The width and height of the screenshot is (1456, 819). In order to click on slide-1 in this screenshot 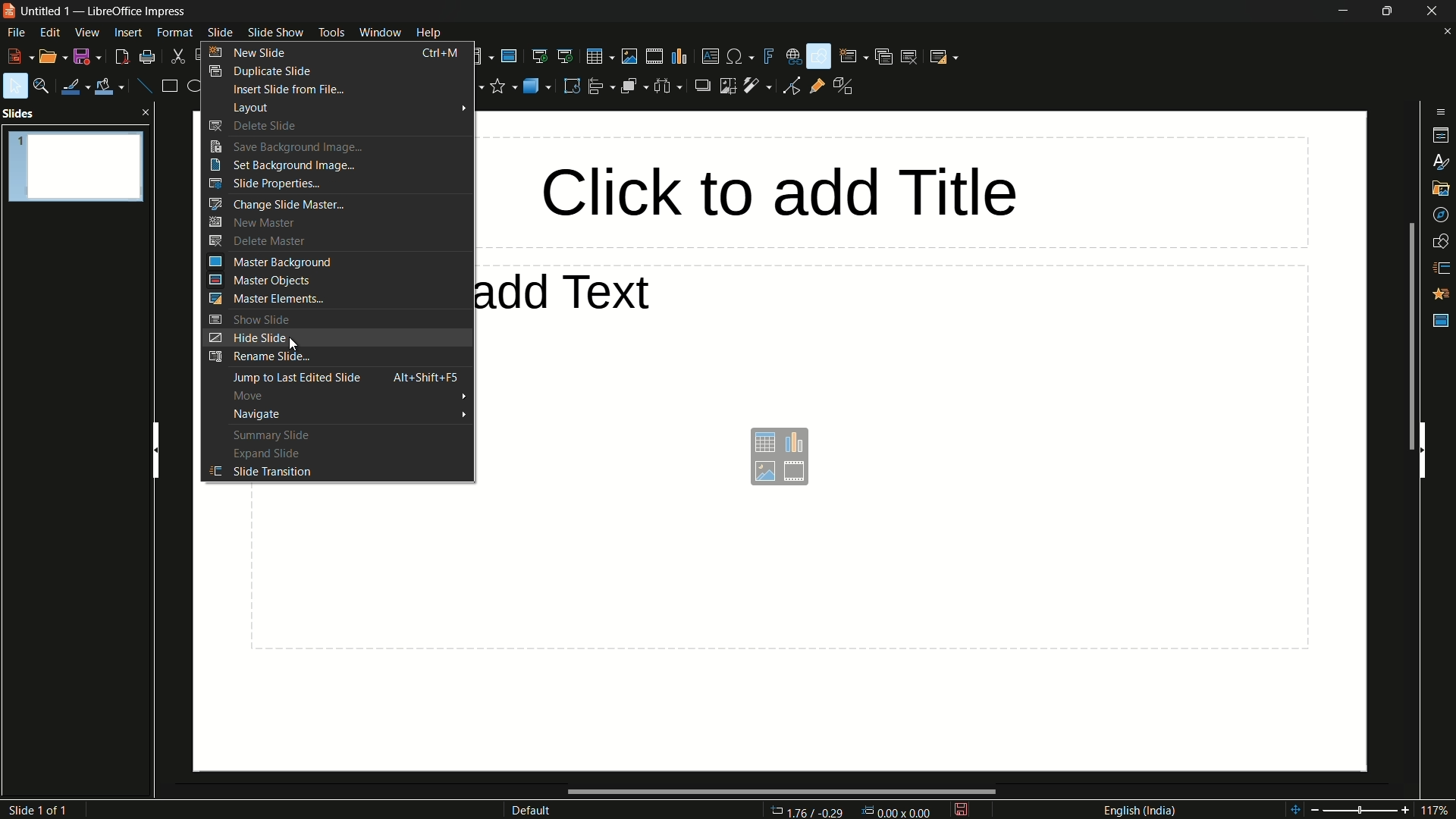, I will do `click(74, 168)`.